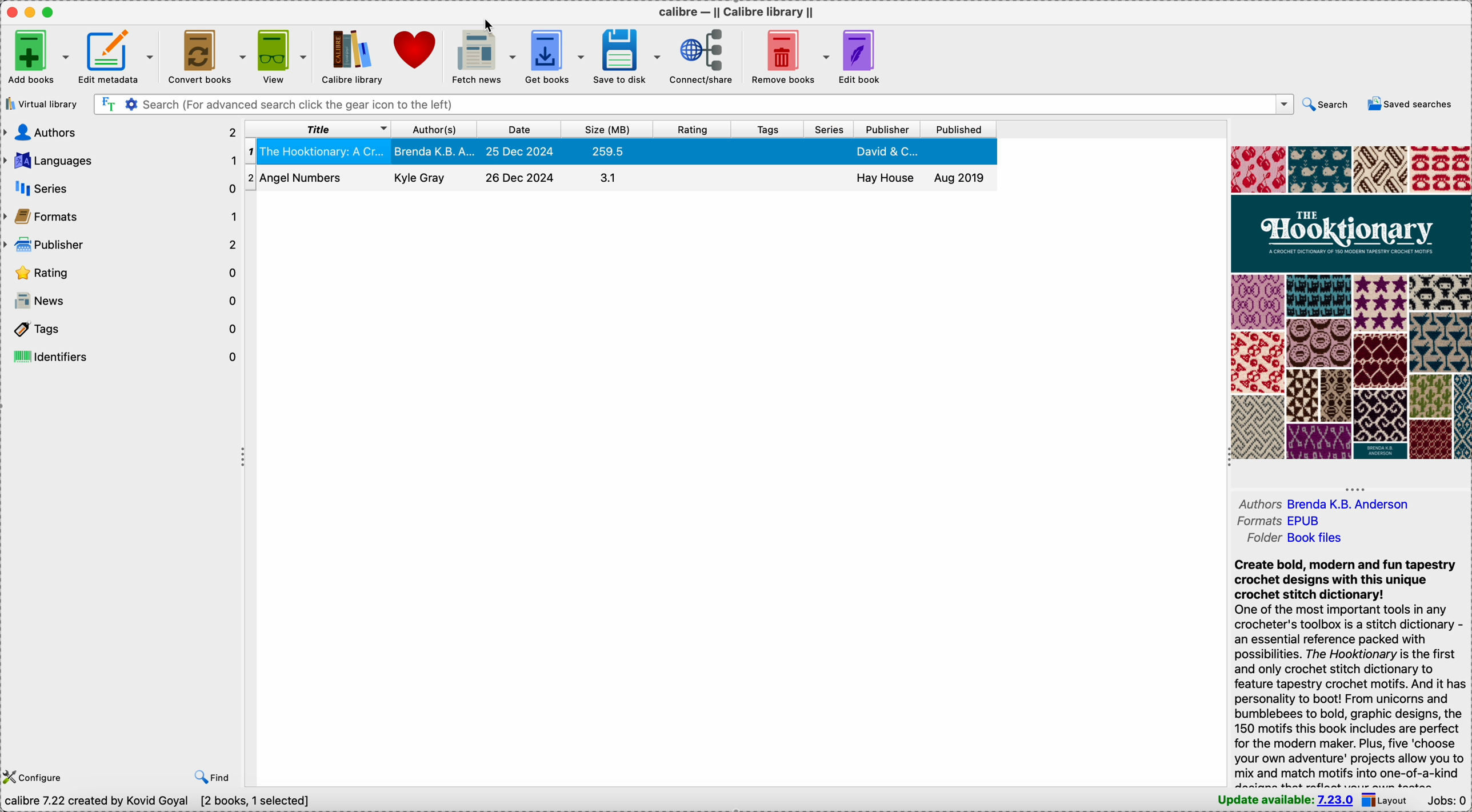  I want to click on convert books, so click(207, 55).